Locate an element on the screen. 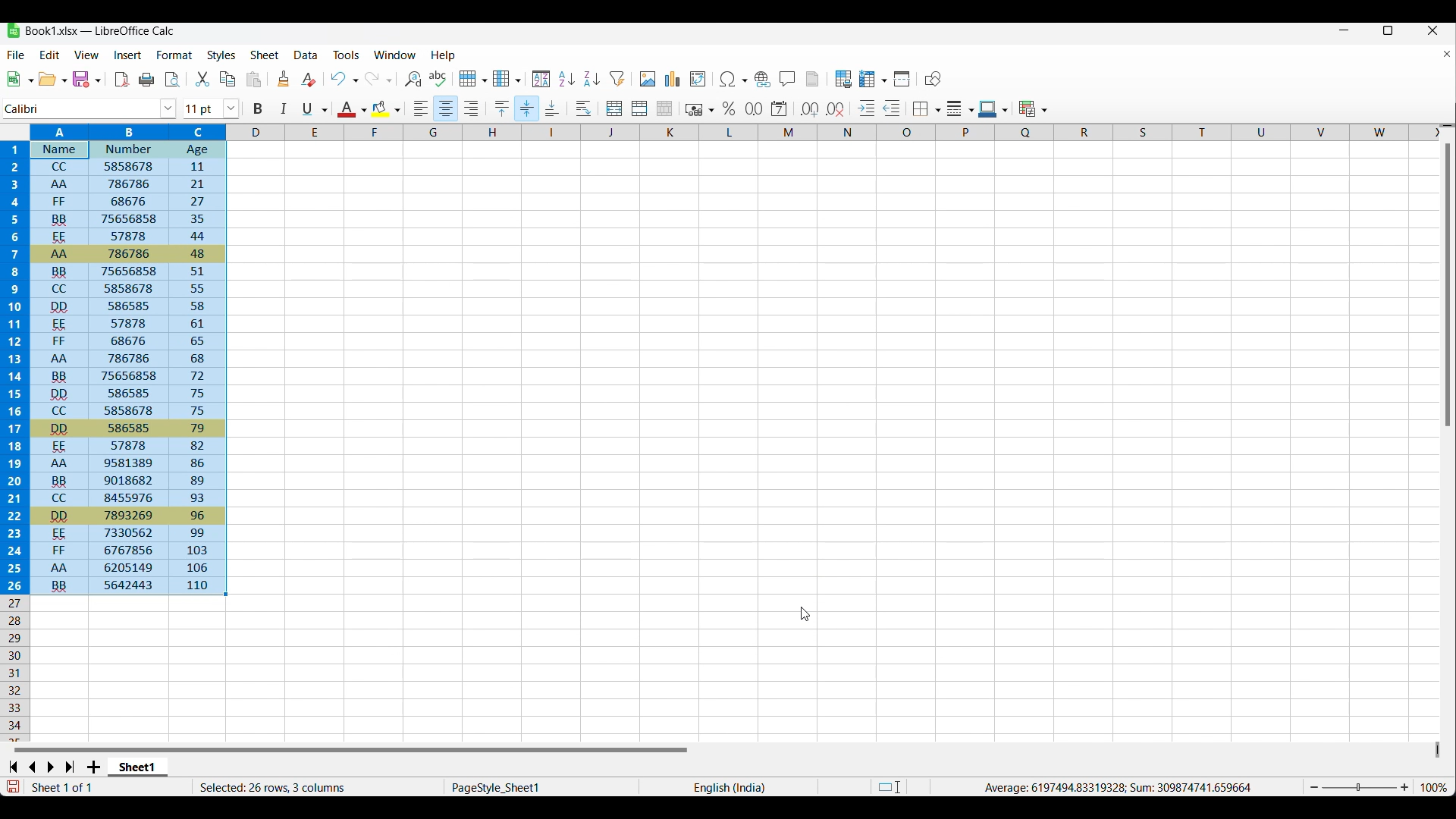 This screenshot has width=1456, height=819. Format as date is located at coordinates (780, 108).